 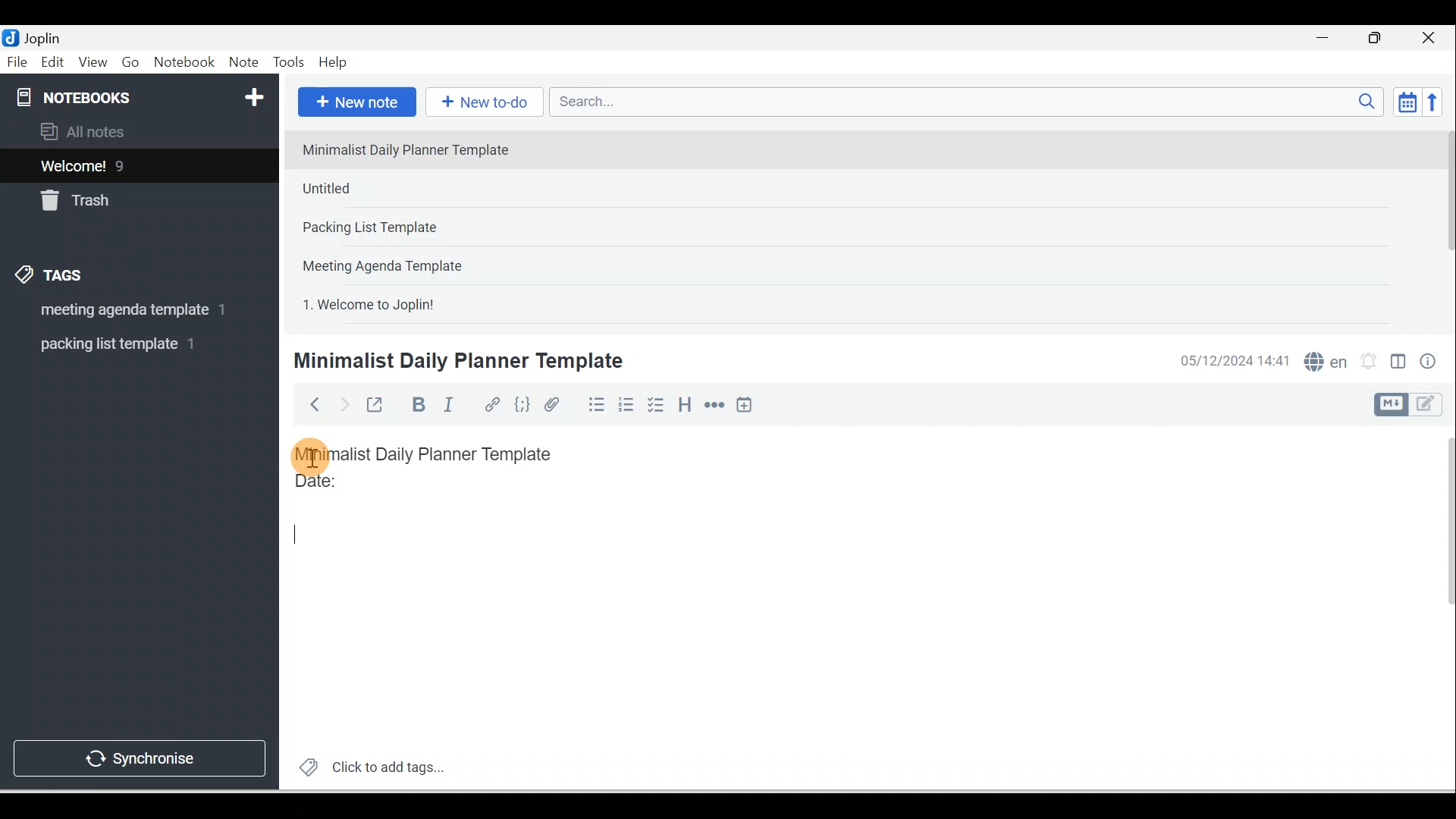 I want to click on Tools, so click(x=288, y=62).